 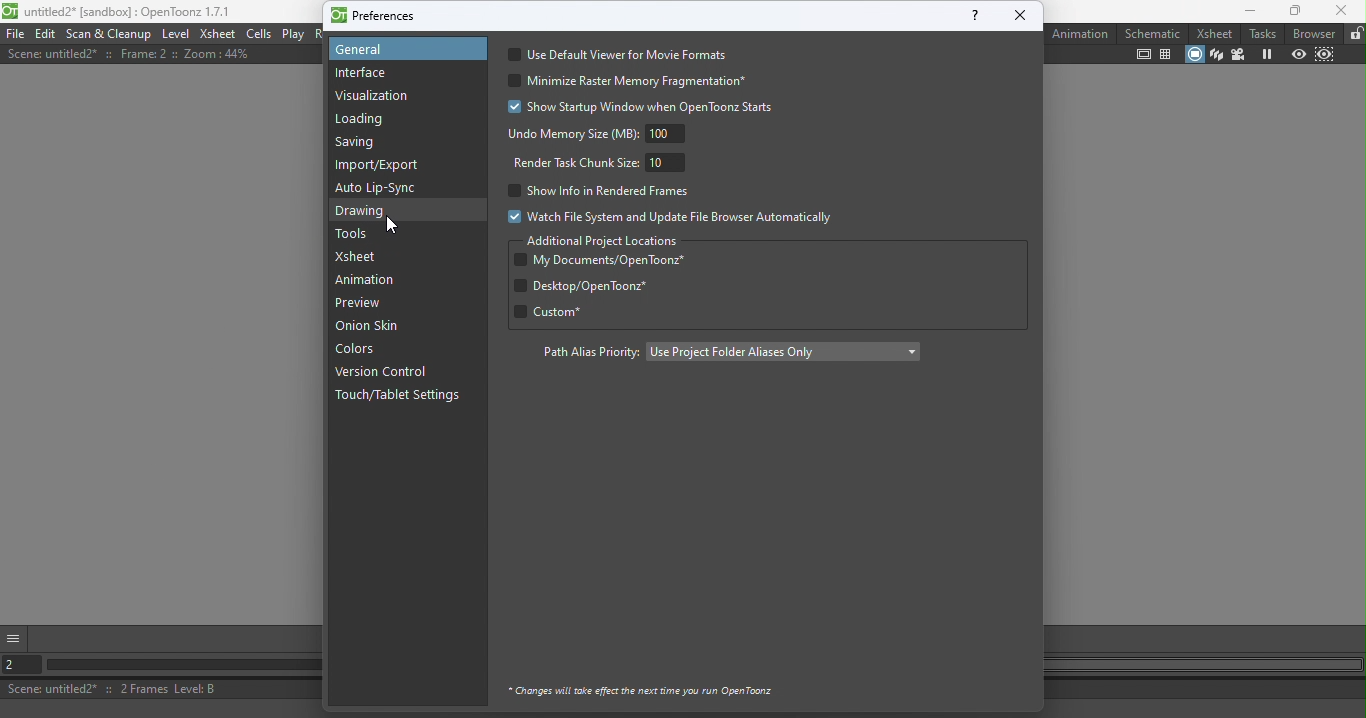 I want to click on Saving, so click(x=361, y=146).